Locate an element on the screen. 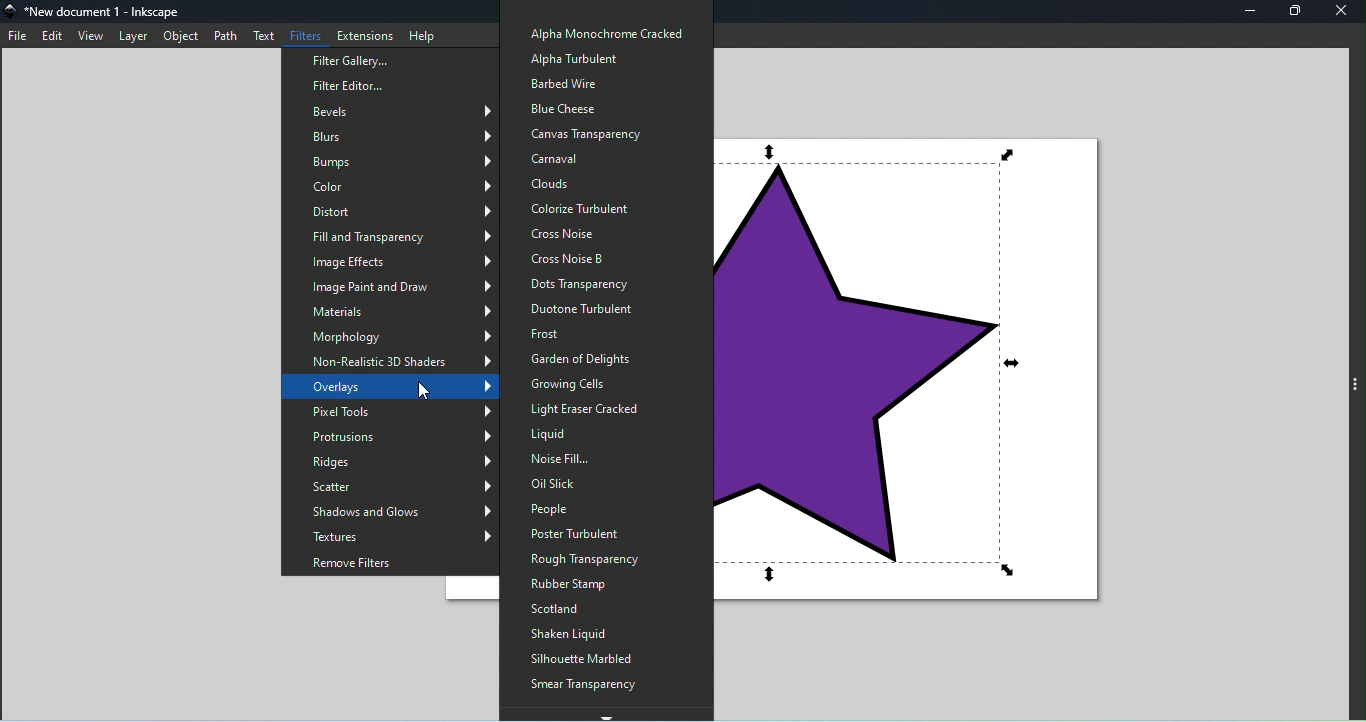 The image size is (1366, 722). Smear transparency is located at coordinates (587, 686).